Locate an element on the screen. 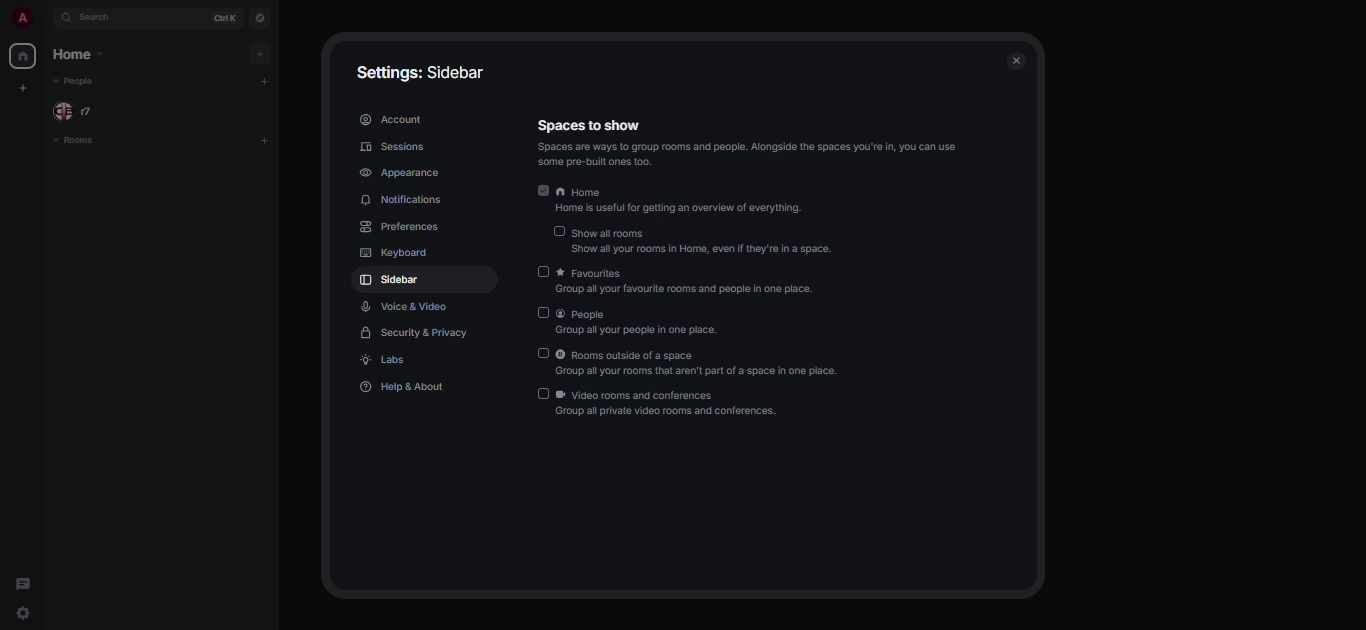 Image resolution: width=1366 pixels, height=630 pixels. favorites is located at coordinates (687, 272).